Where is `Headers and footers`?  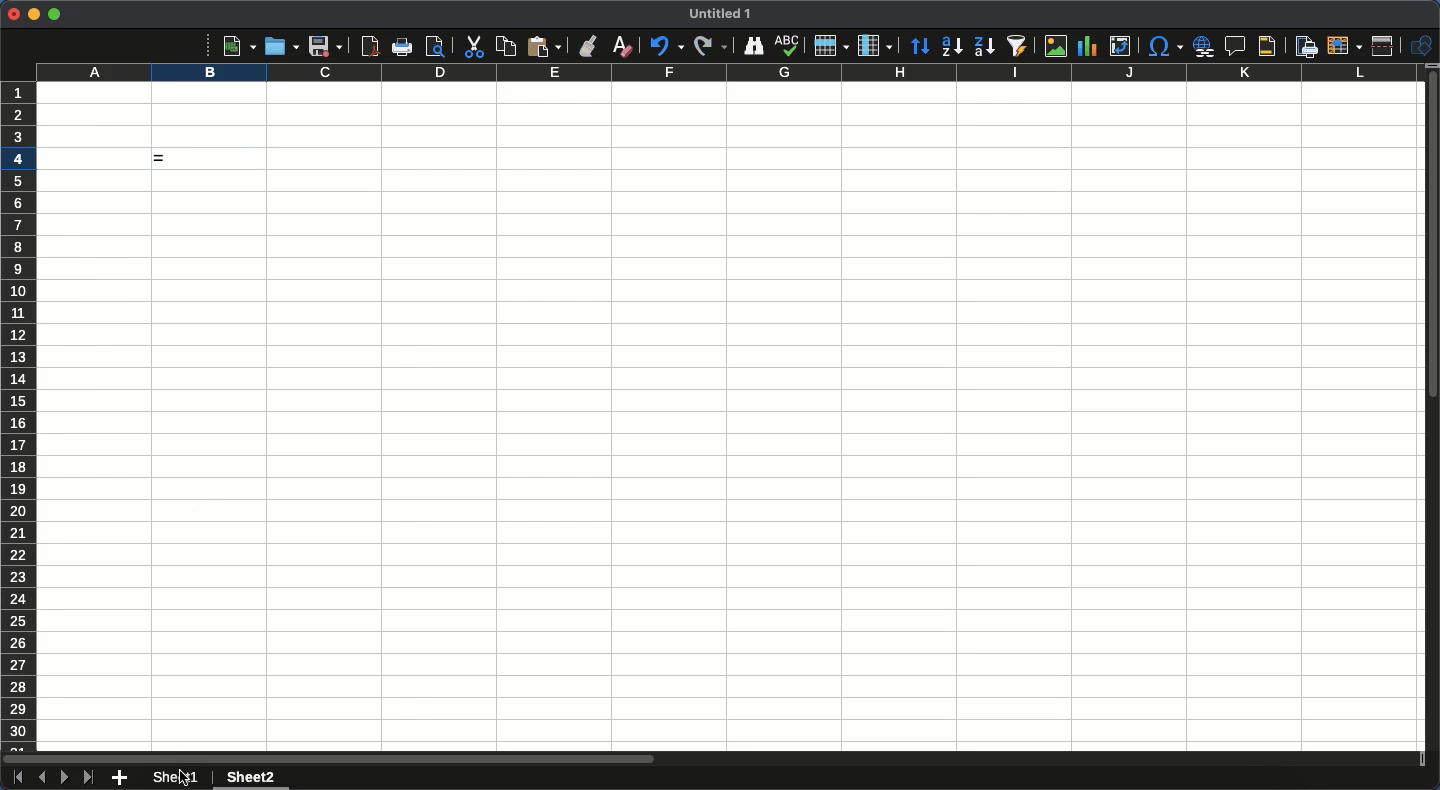
Headers and footers is located at coordinates (1265, 47).